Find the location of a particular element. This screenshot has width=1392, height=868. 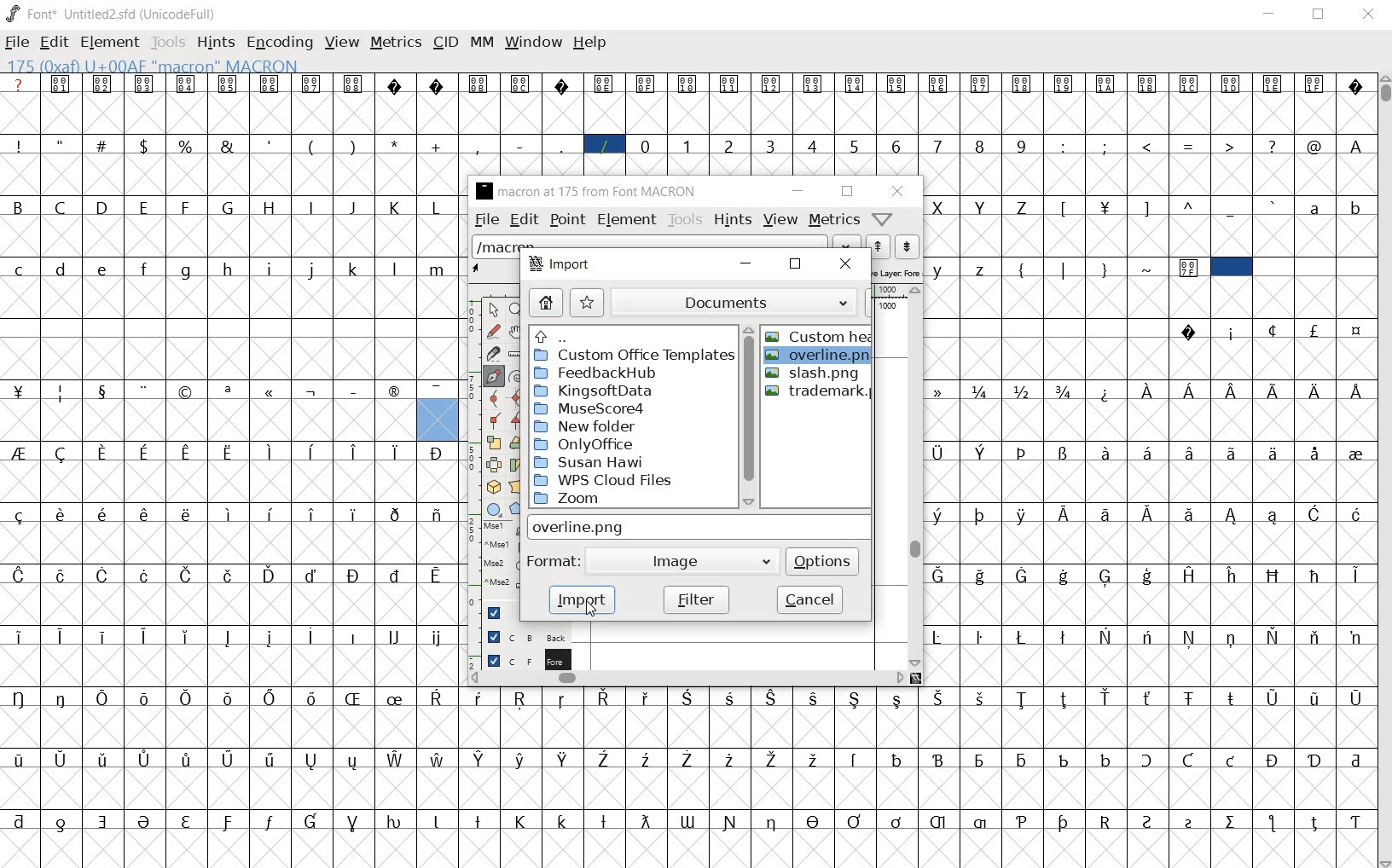

Tools is located at coordinates (168, 42).